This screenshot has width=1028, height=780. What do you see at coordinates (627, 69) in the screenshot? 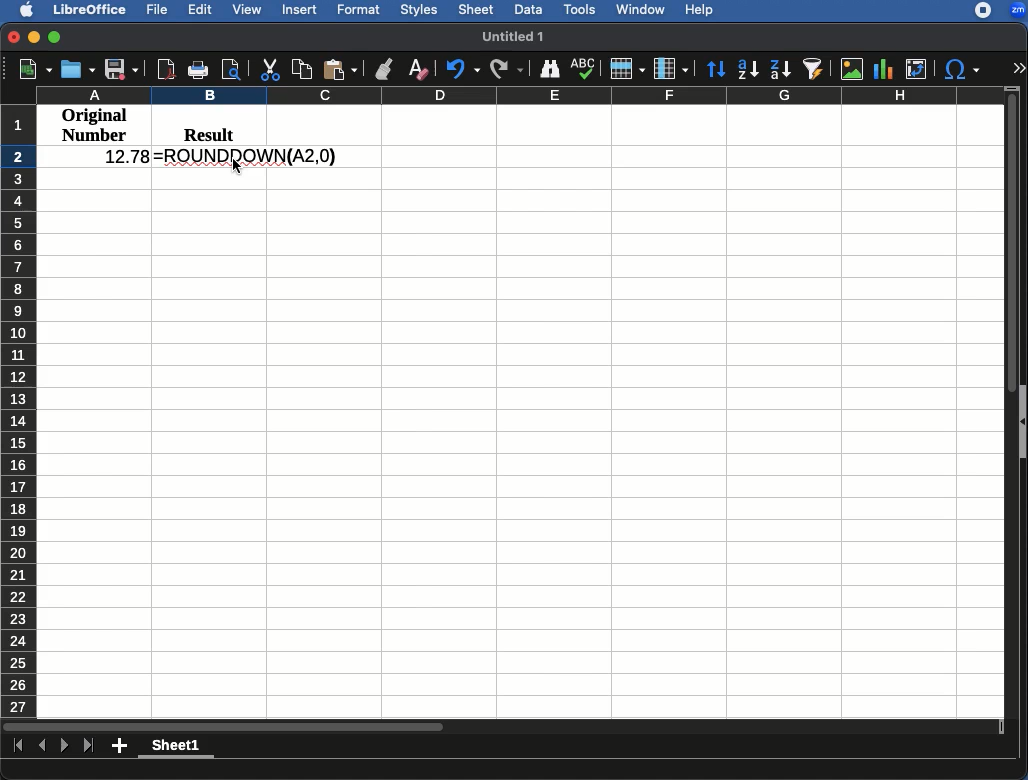
I see `Row` at bounding box center [627, 69].